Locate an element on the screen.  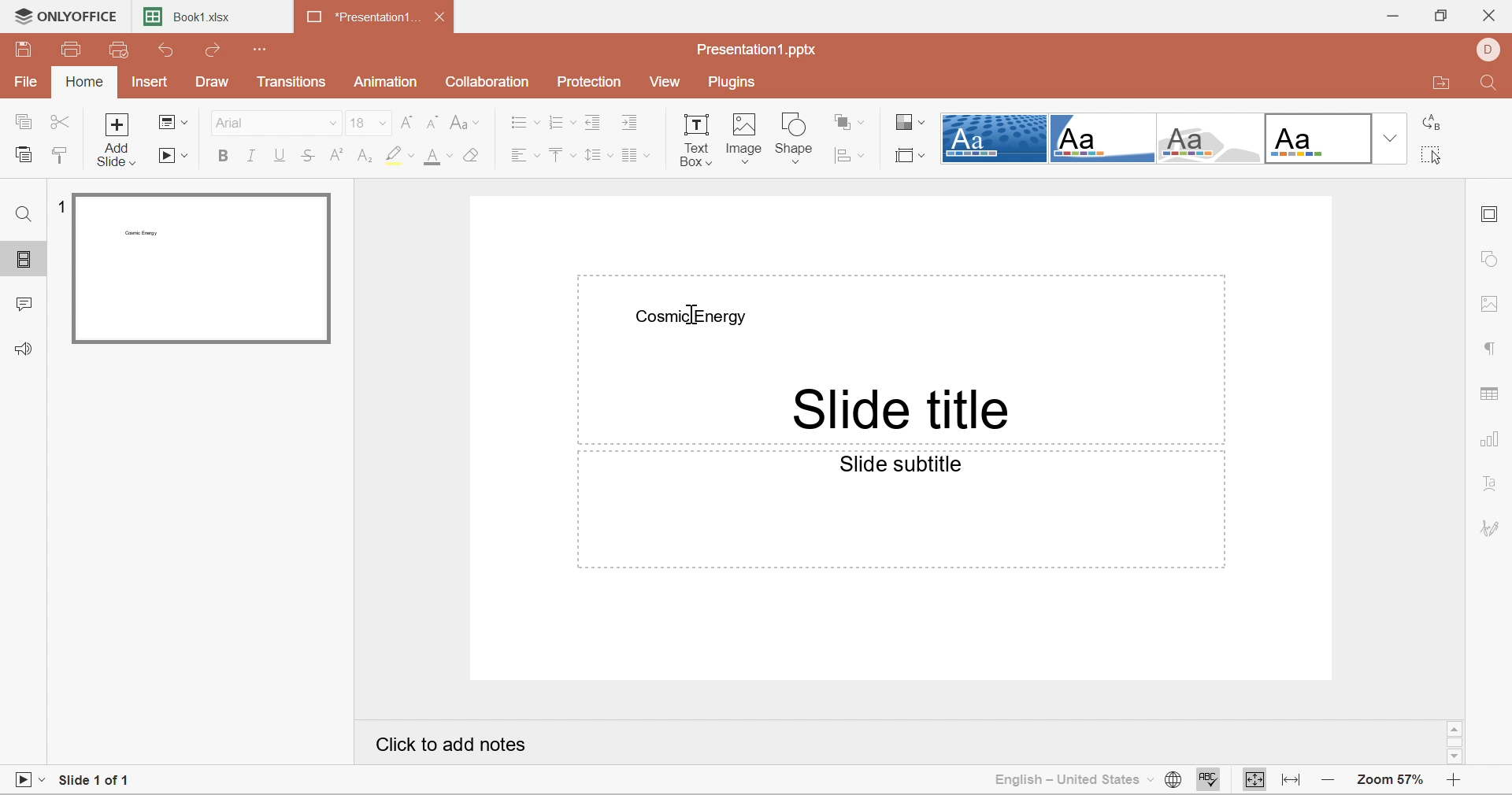
Decrement font size is located at coordinates (433, 124).